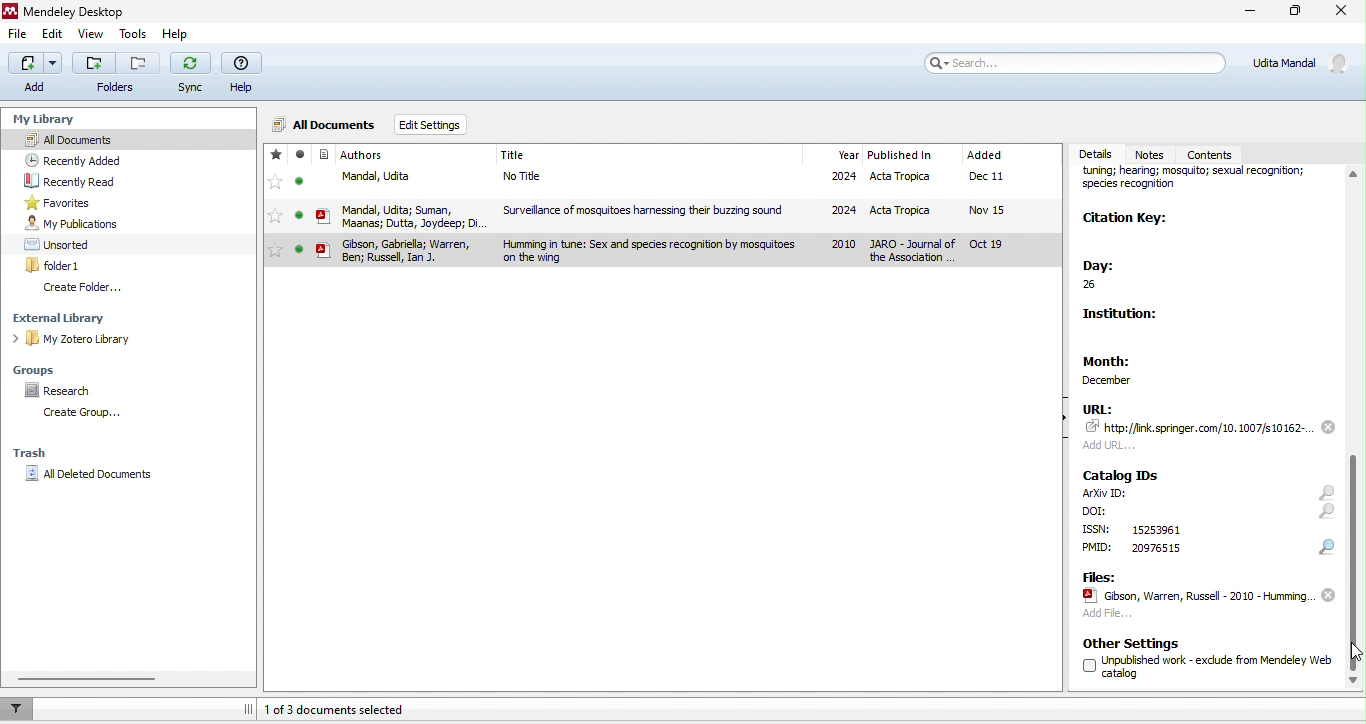 This screenshot has height=724, width=1366. Describe the element at coordinates (91, 679) in the screenshot. I see `horizontal scroll bar` at that location.